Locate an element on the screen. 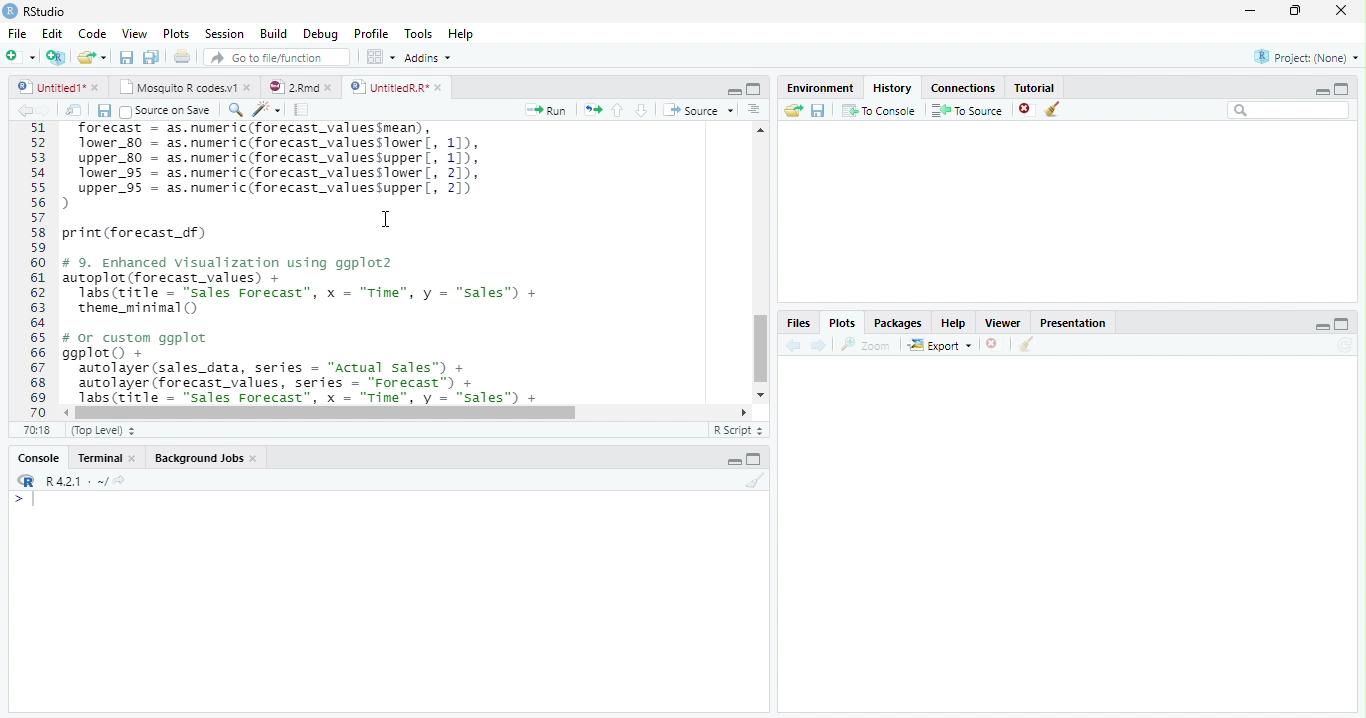 Image resolution: width=1366 pixels, height=718 pixels. viewer is located at coordinates (1003, 324).